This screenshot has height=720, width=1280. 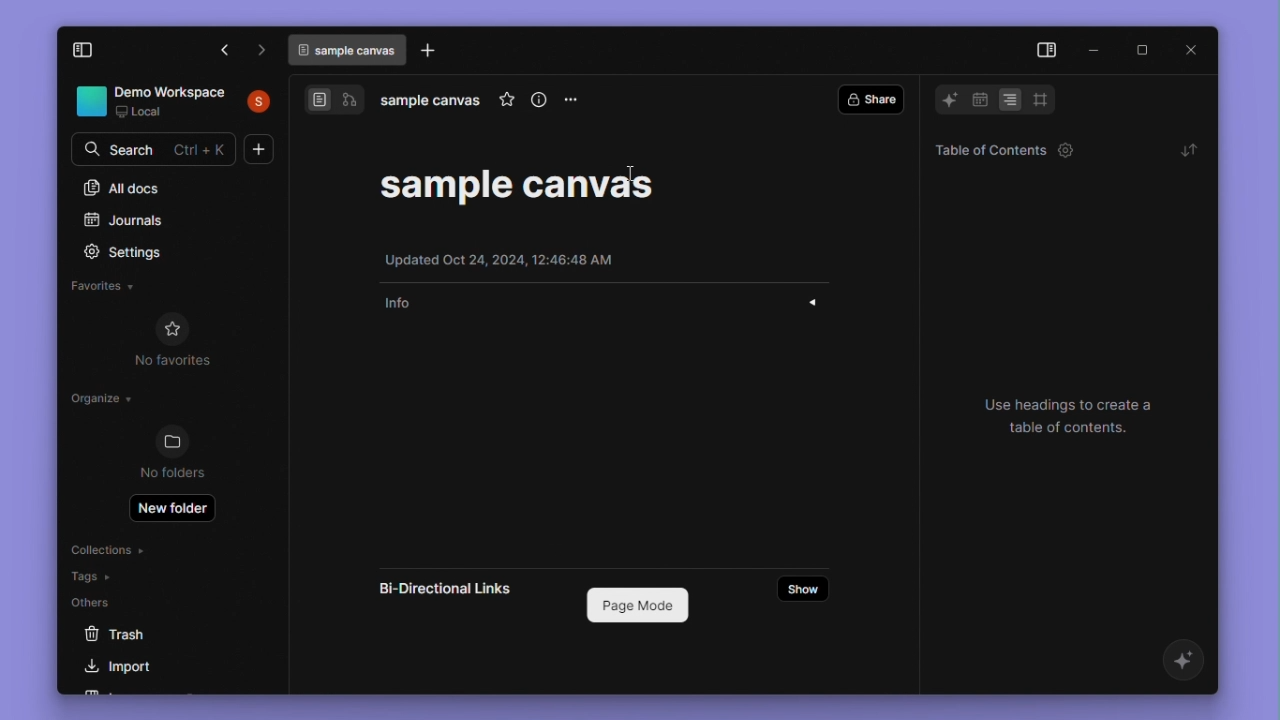 I want to click on Search, so click(x=157, y=147).